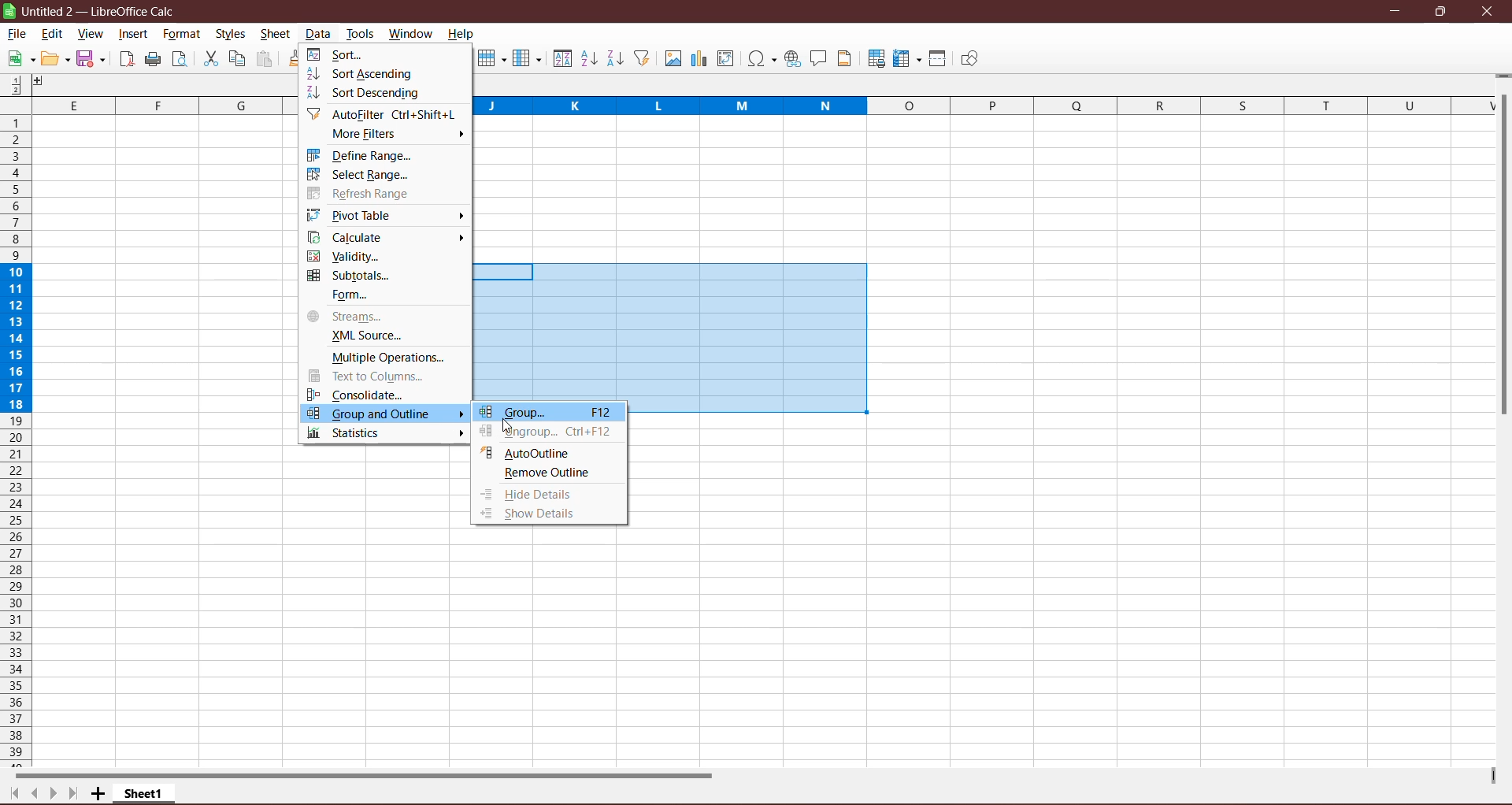  Describe the element at coordinates (792, 59) in the screenshot. I see `Insert Hyperlink` at that location.